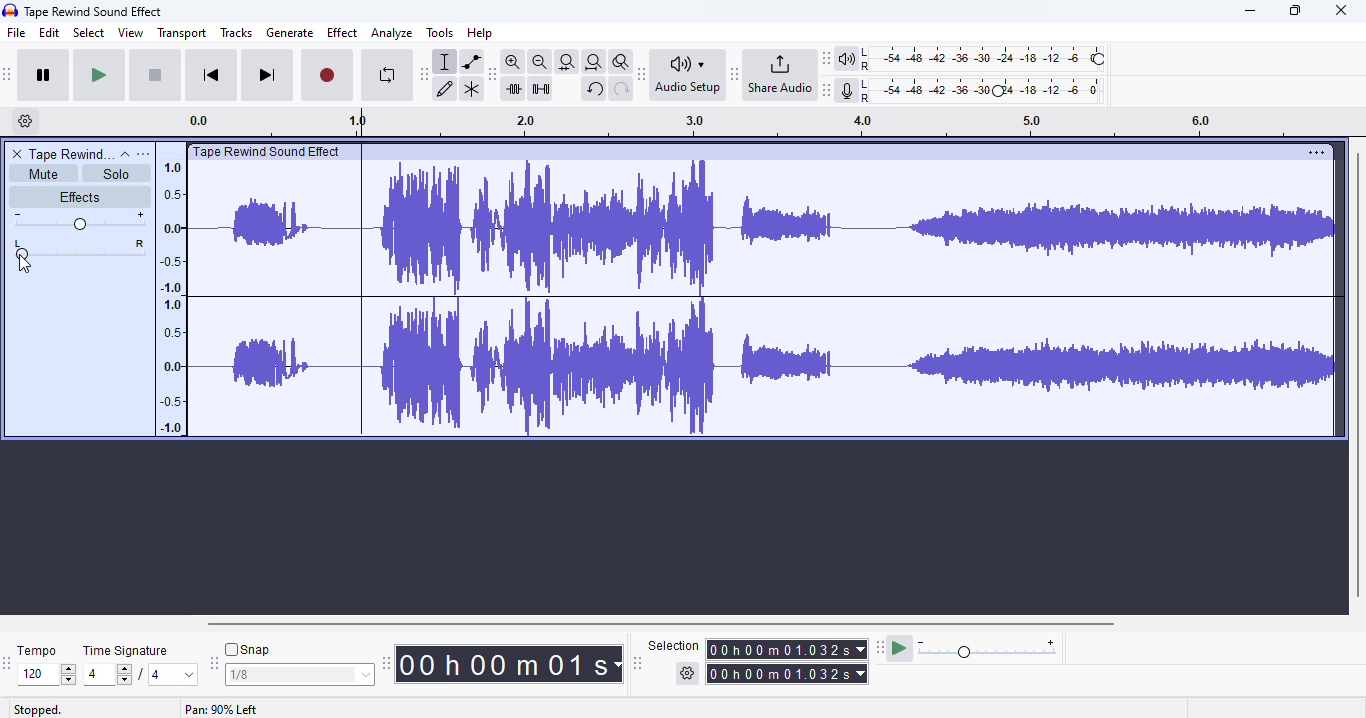  I want to click on volume, so click(79, 221).